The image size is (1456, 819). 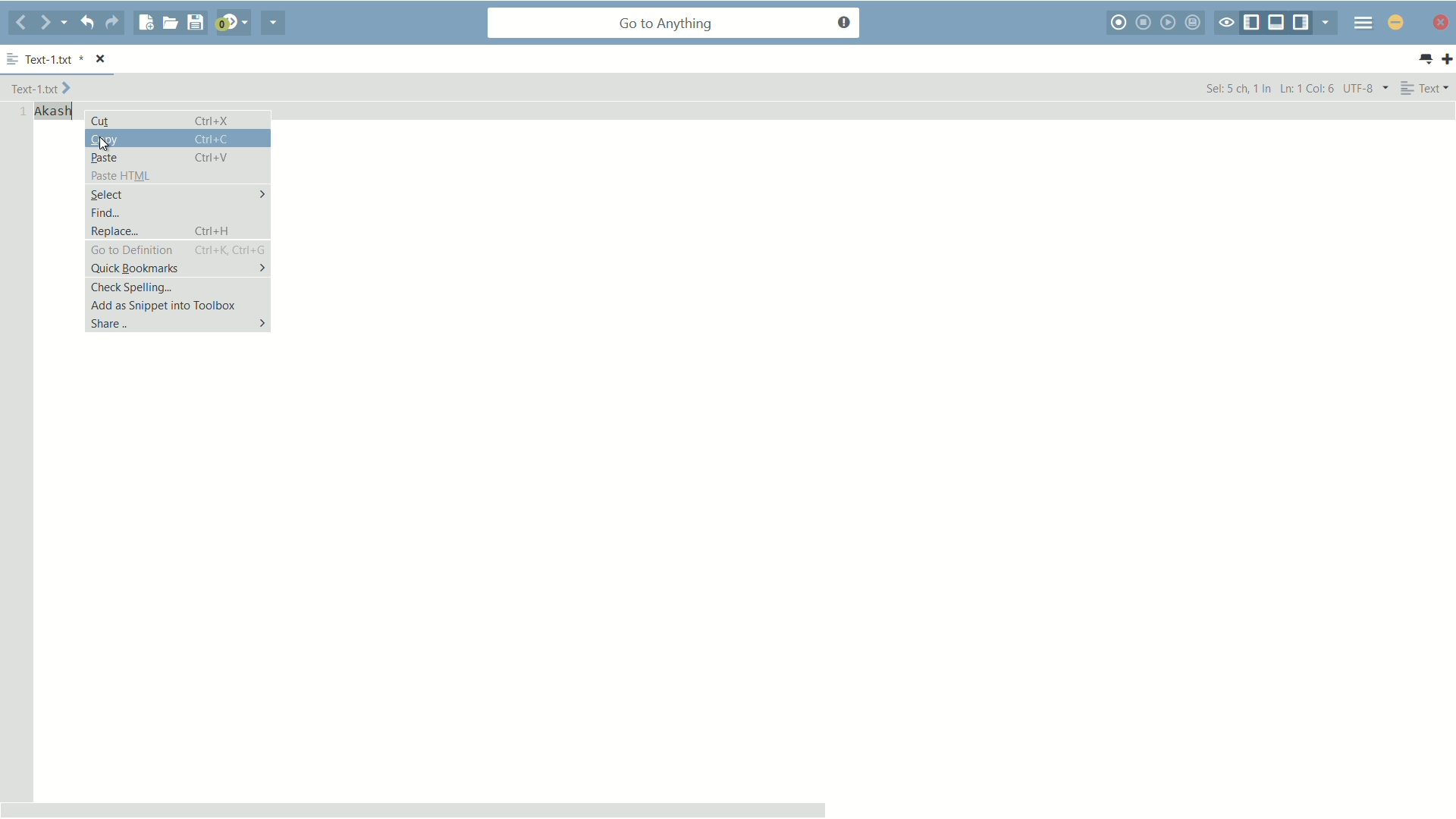 What do you see at coordinates (1439, 22) in the screenshot?
I see `close app` at bounding box center [1439, 22].